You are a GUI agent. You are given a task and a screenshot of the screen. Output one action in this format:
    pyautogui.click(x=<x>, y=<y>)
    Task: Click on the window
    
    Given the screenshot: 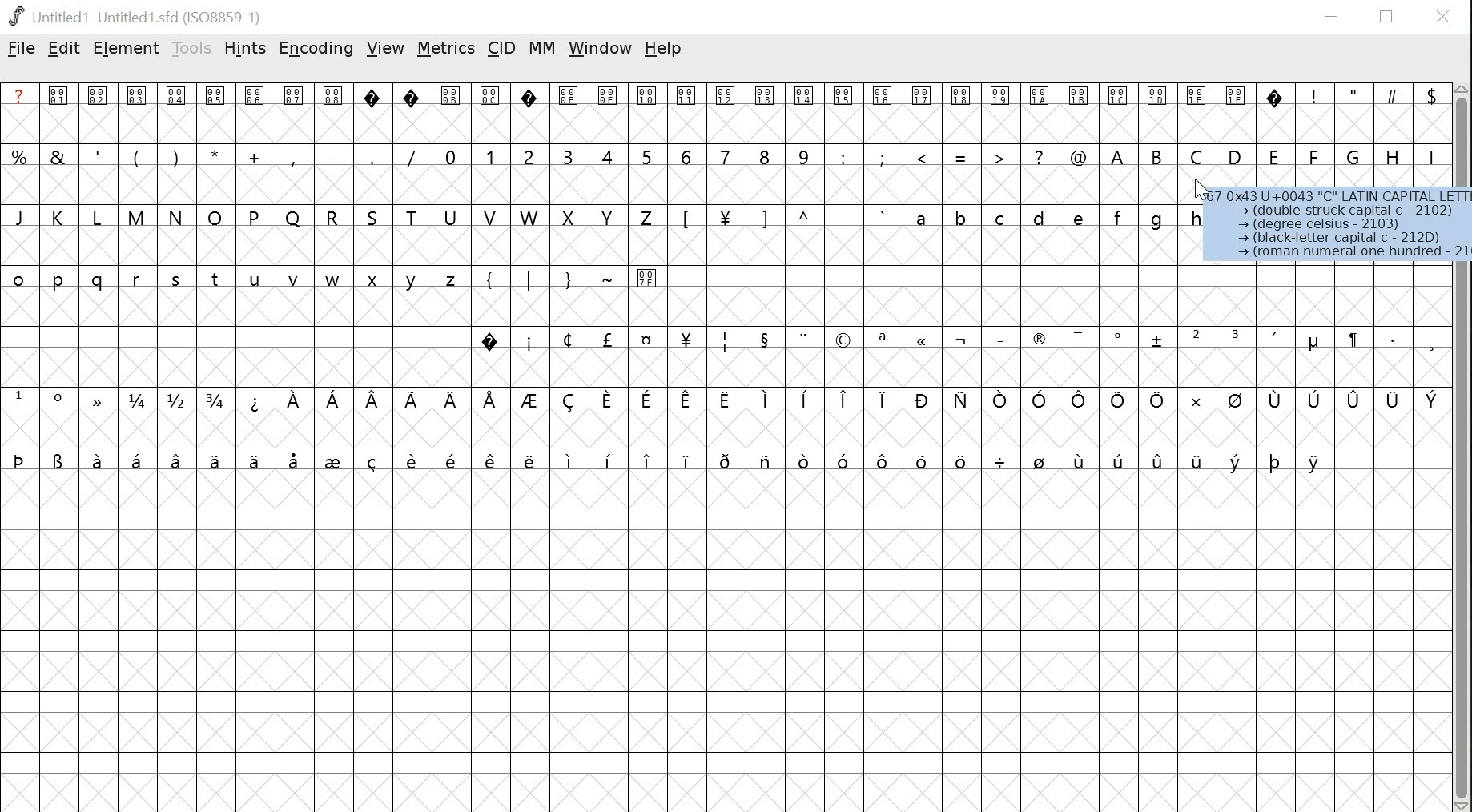 What is the action you would take?
    pyautogui.click(x=601, y=51)
    